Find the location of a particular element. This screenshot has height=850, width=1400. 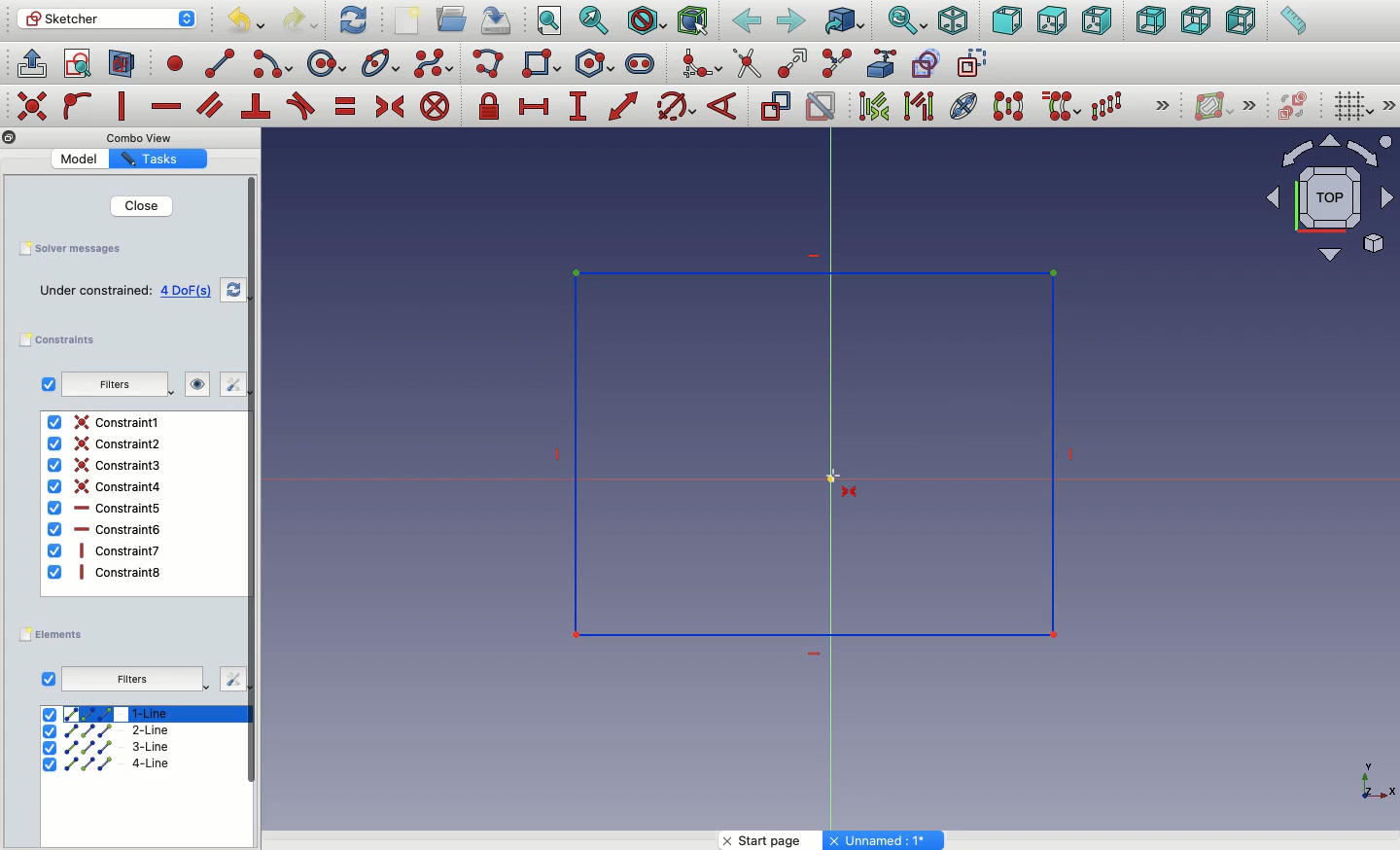

Navigator is located at coordinates (1330, 198).